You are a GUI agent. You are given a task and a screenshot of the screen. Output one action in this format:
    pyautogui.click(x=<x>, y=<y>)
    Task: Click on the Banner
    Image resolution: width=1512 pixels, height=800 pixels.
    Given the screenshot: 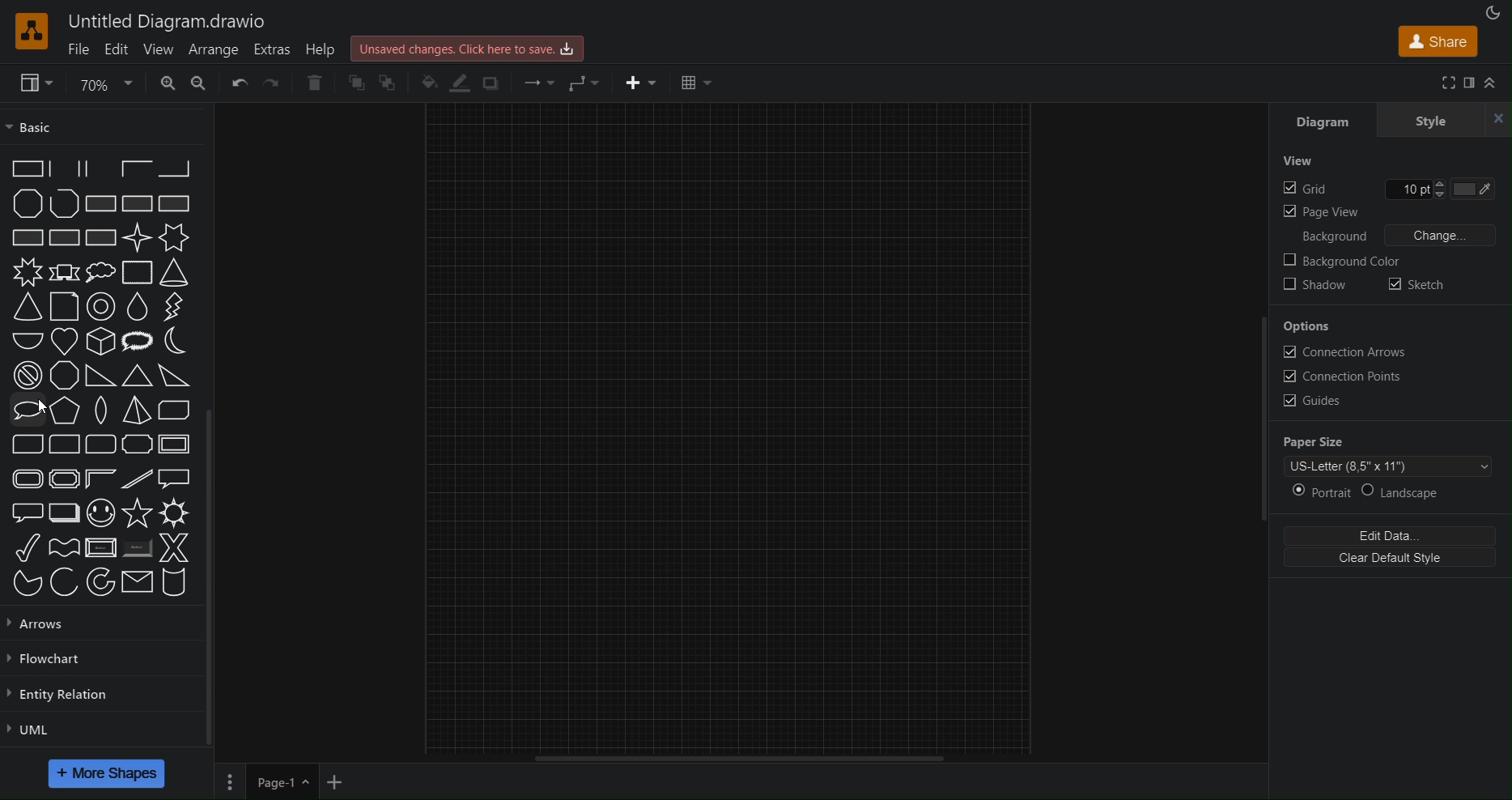 What is the action you would take?
    pyautogui.click(x=64, y=272)
    